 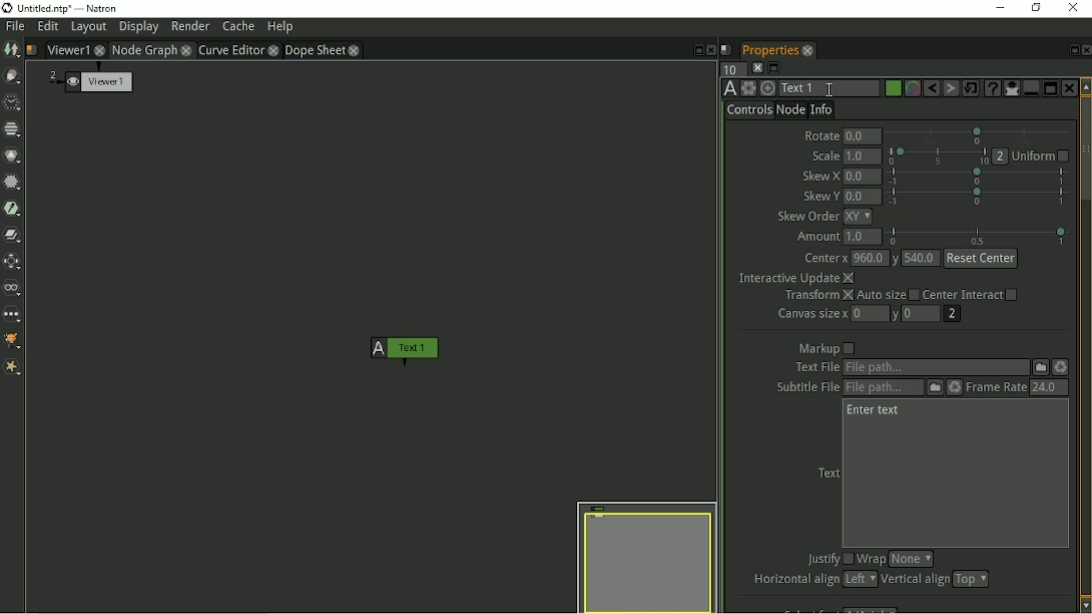 I want to click on Vertical scrollbar, so click(x=1085, y=345).